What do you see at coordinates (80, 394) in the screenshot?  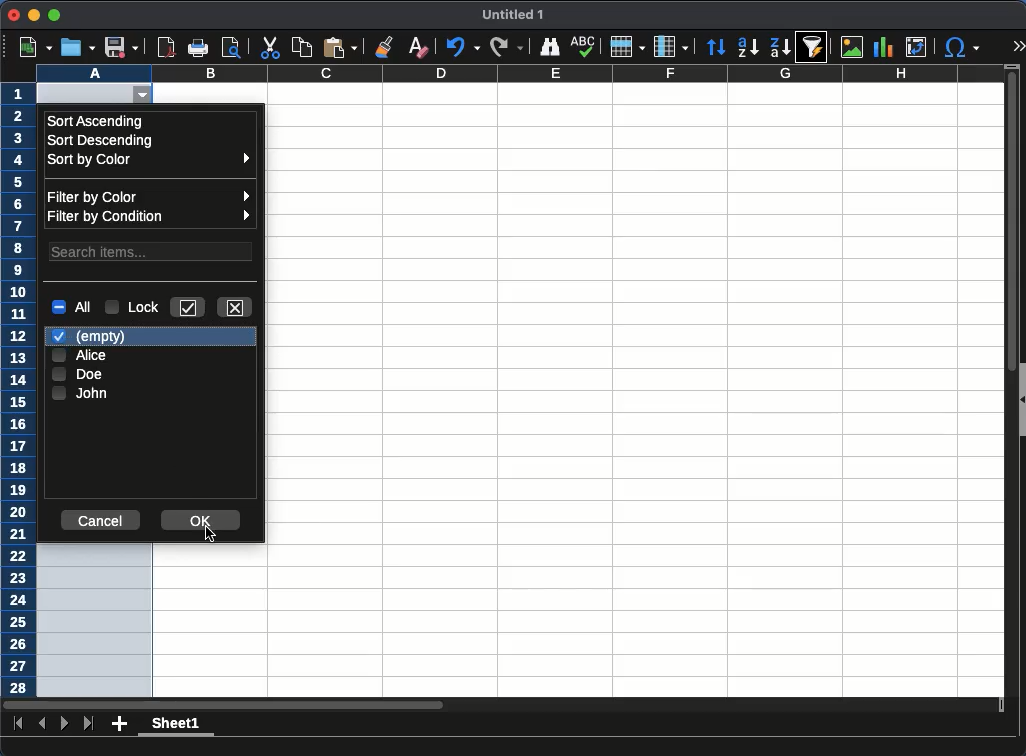 I see `john` at bounding box center [80, 394].